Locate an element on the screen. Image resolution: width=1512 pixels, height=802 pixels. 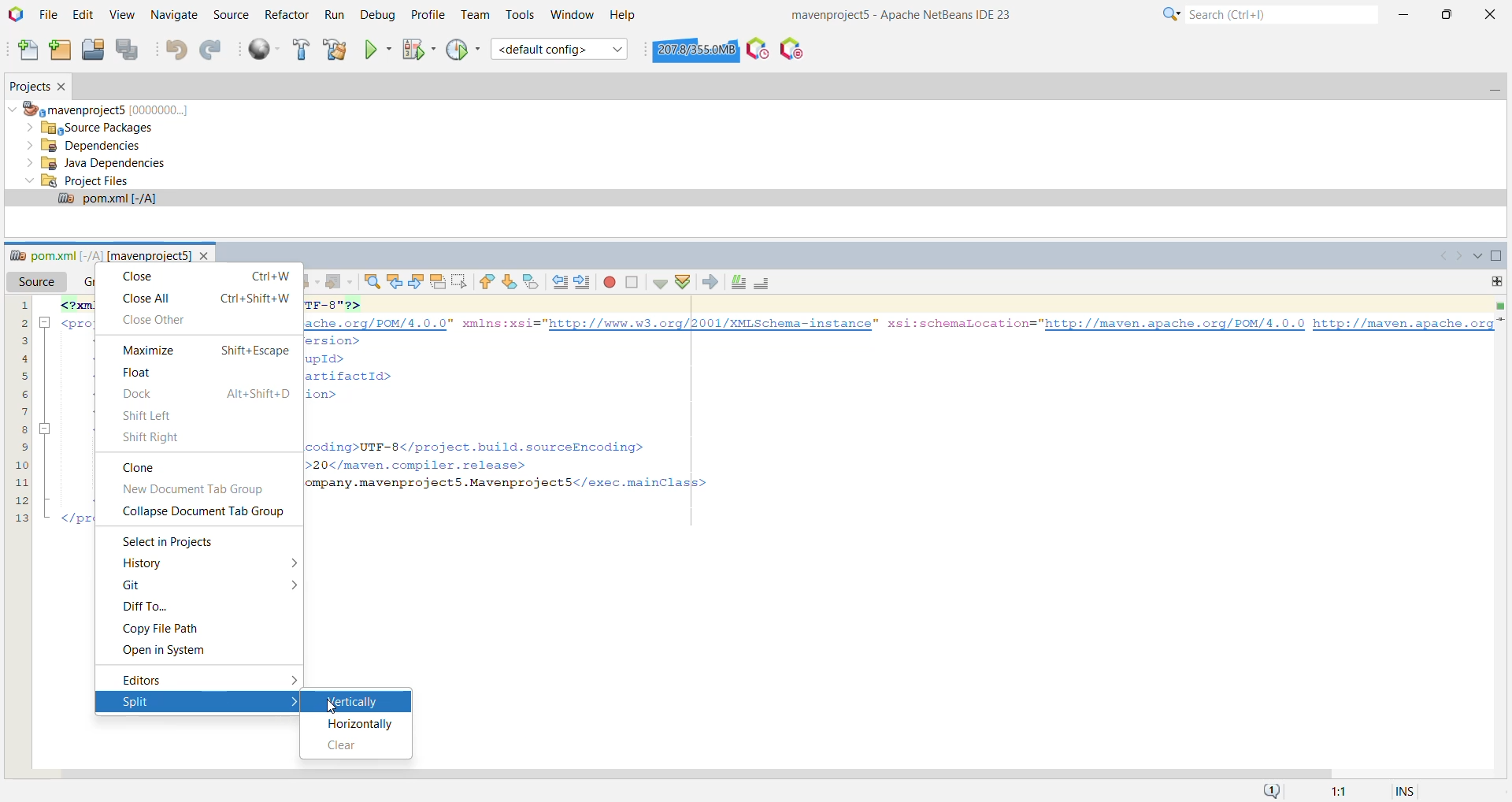
Close is located at coordinates (1491, 13).